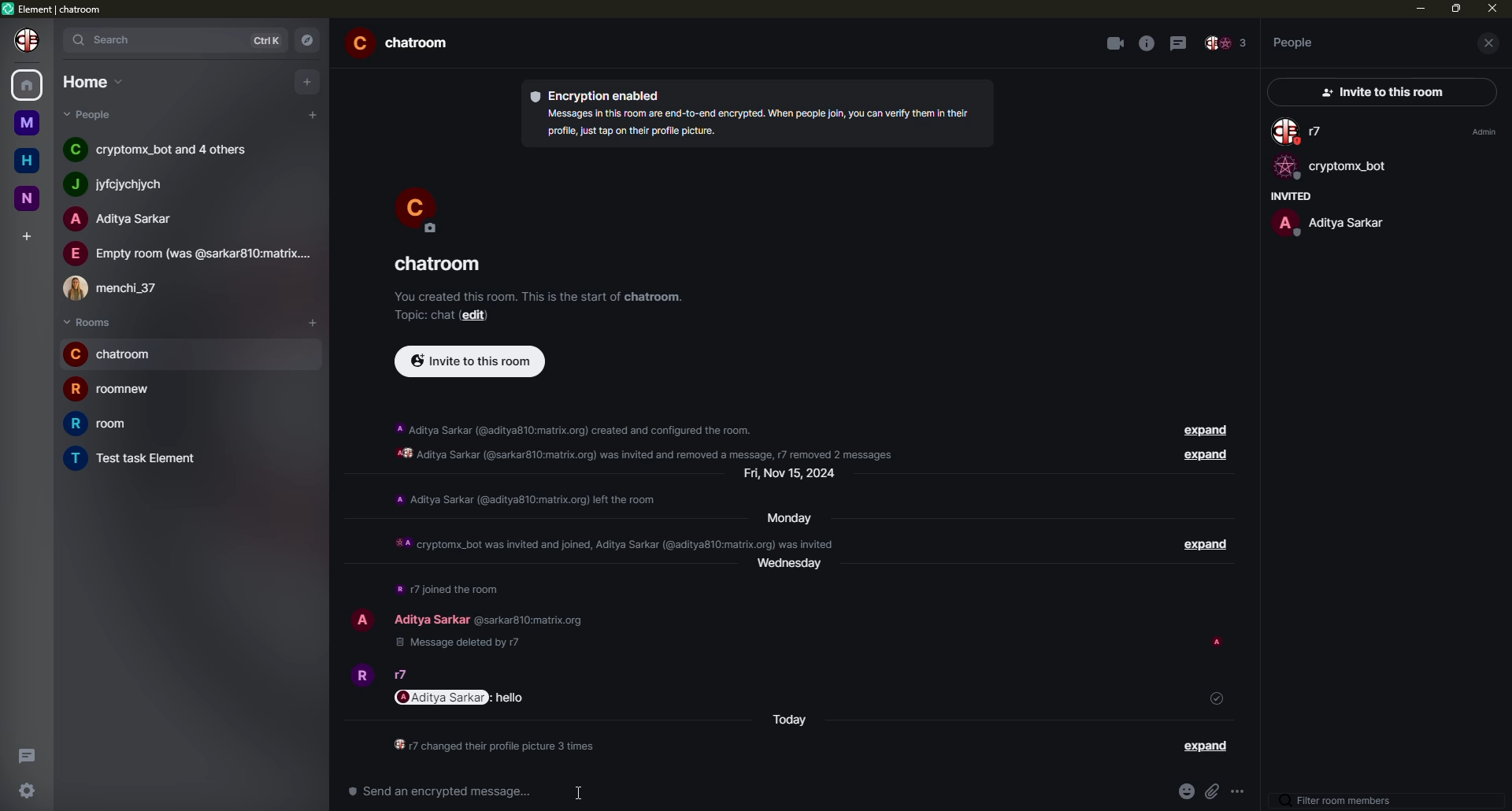 The image size is (1512, 811). What do you see at coordinates (312, 40) in the screenshot?
I see `navigator` at bounding box center [312, 40].